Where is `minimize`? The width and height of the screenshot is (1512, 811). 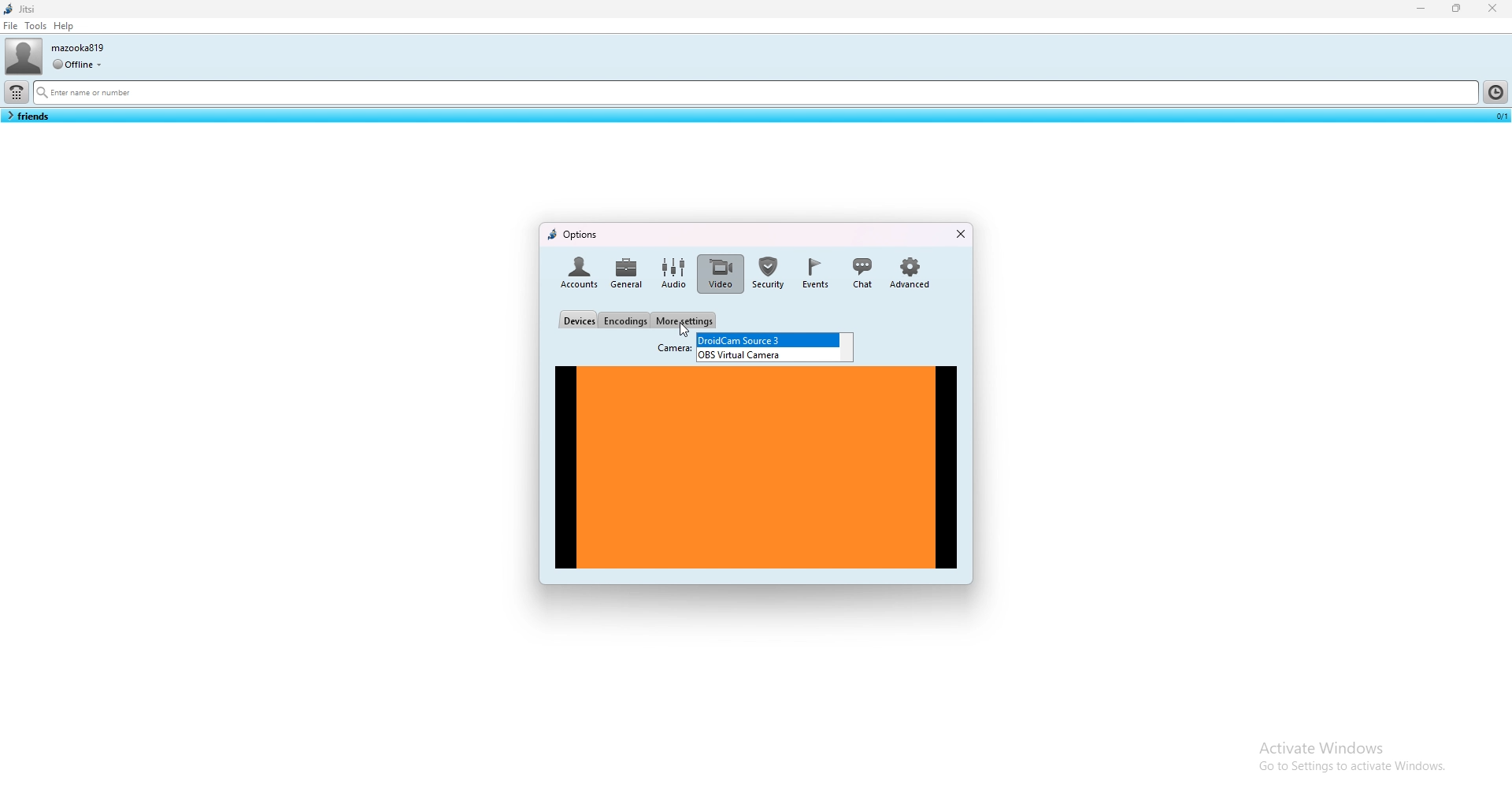 minimize is located at coordinates (1422, 8).